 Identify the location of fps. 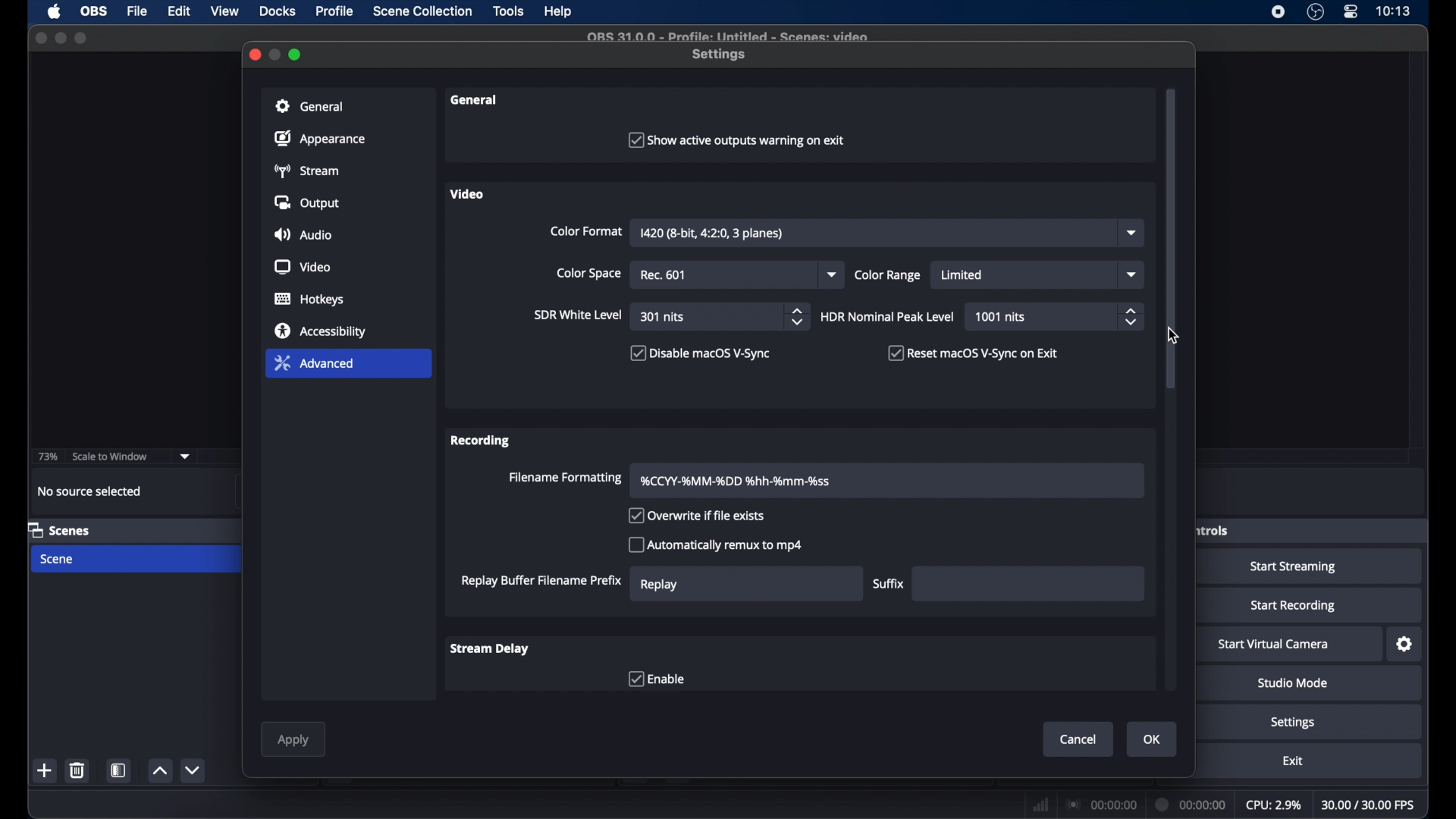
(1369, 805).